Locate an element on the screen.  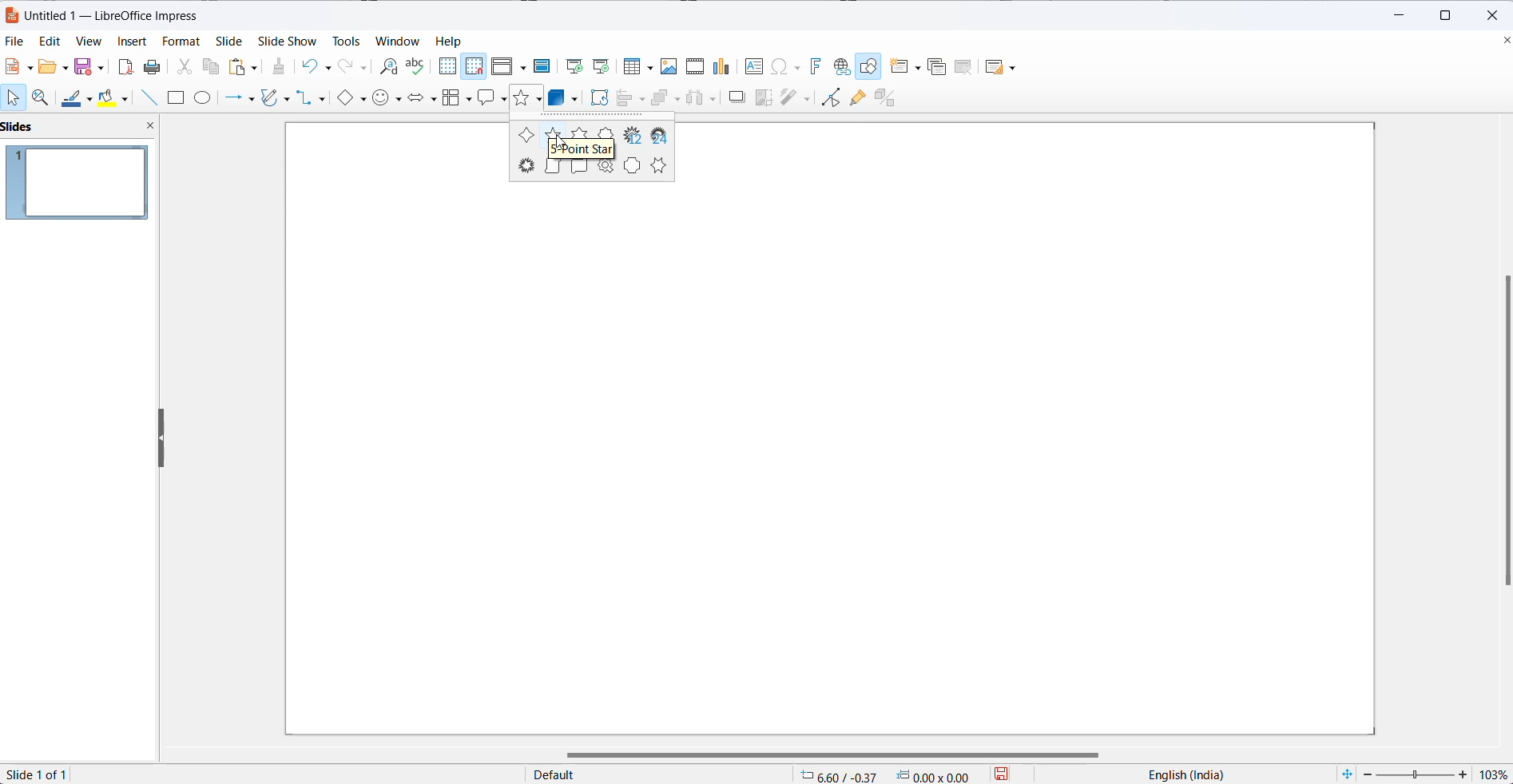
print is located at coordinates (155, 66).